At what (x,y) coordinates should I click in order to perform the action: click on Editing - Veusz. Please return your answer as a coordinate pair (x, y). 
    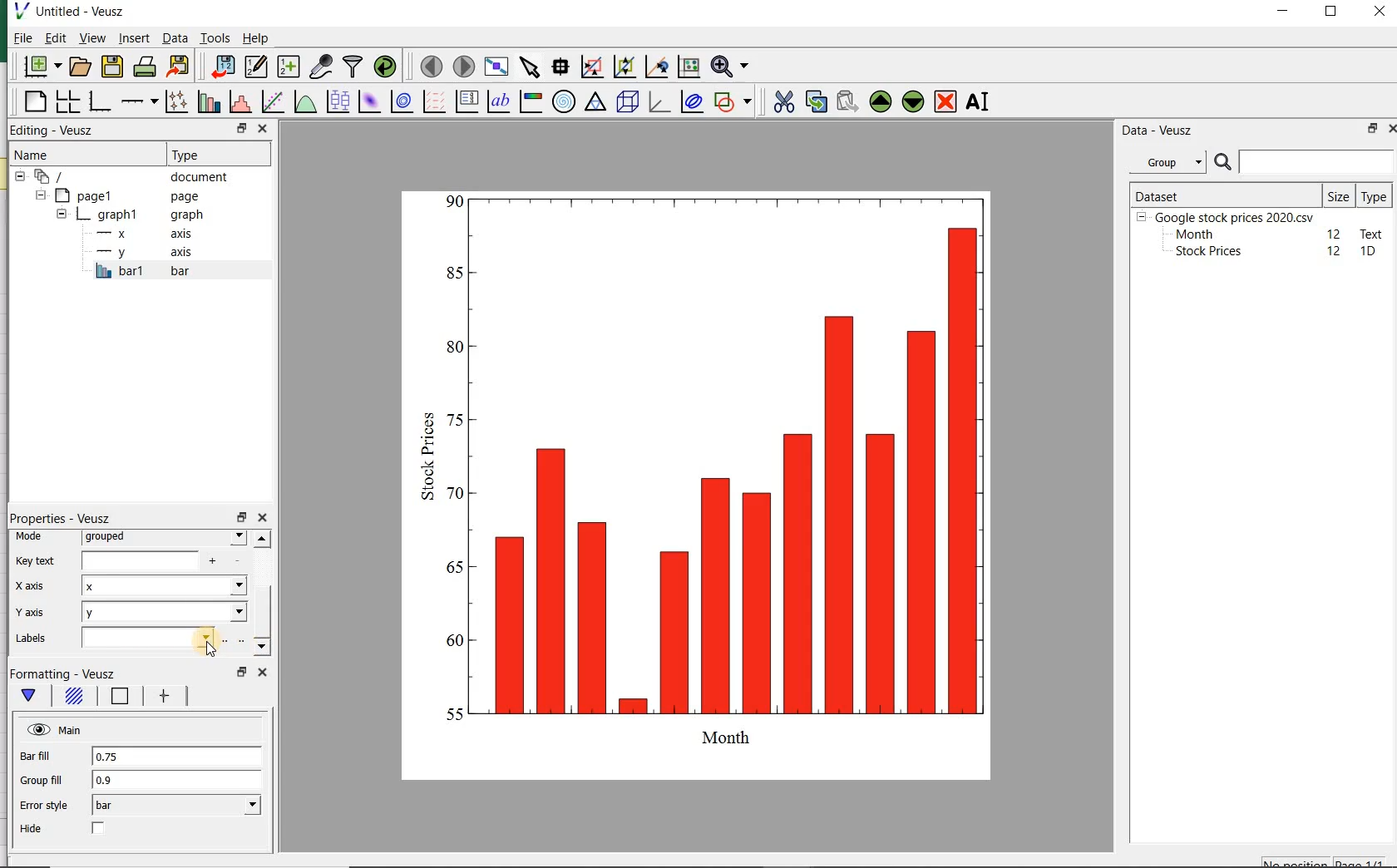
    Looking at the image, I should click on (54, 131).